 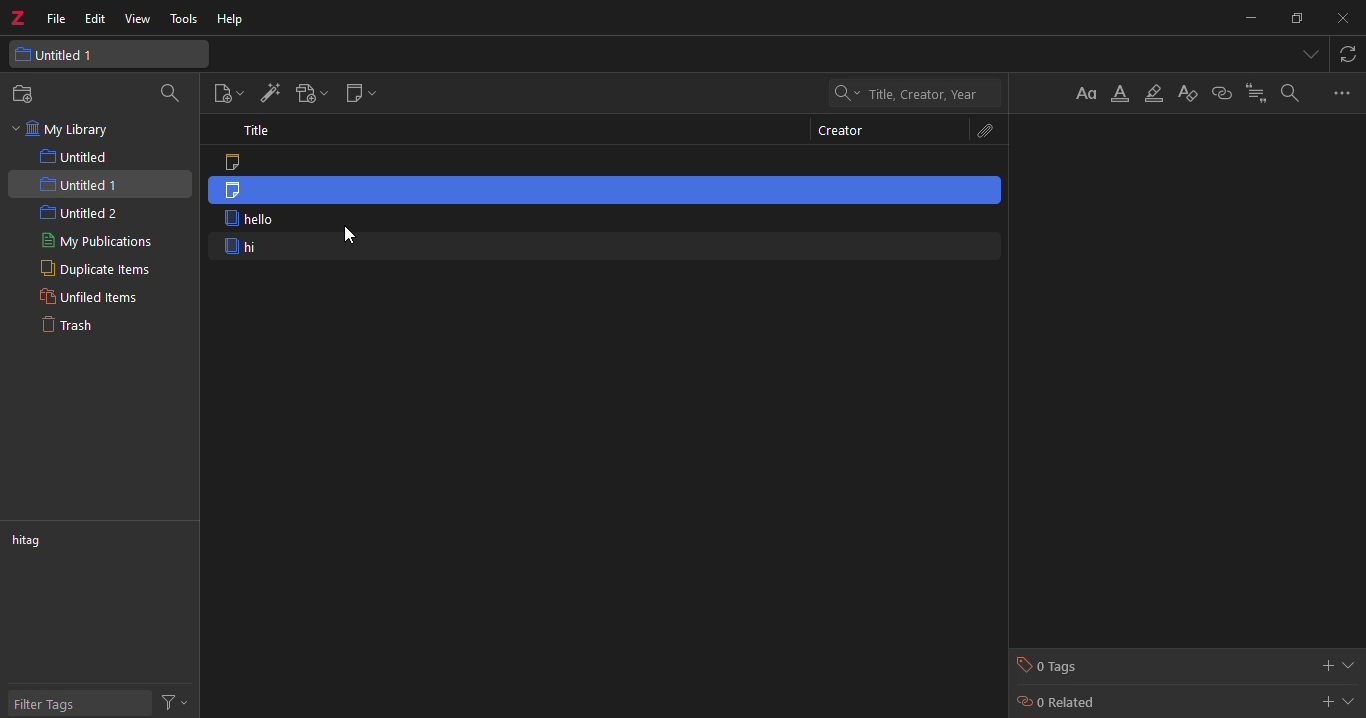 What do you see at coordinates (76, 213) in the screenshot?
I see `untitled 2` at bounding box center [76, 213].